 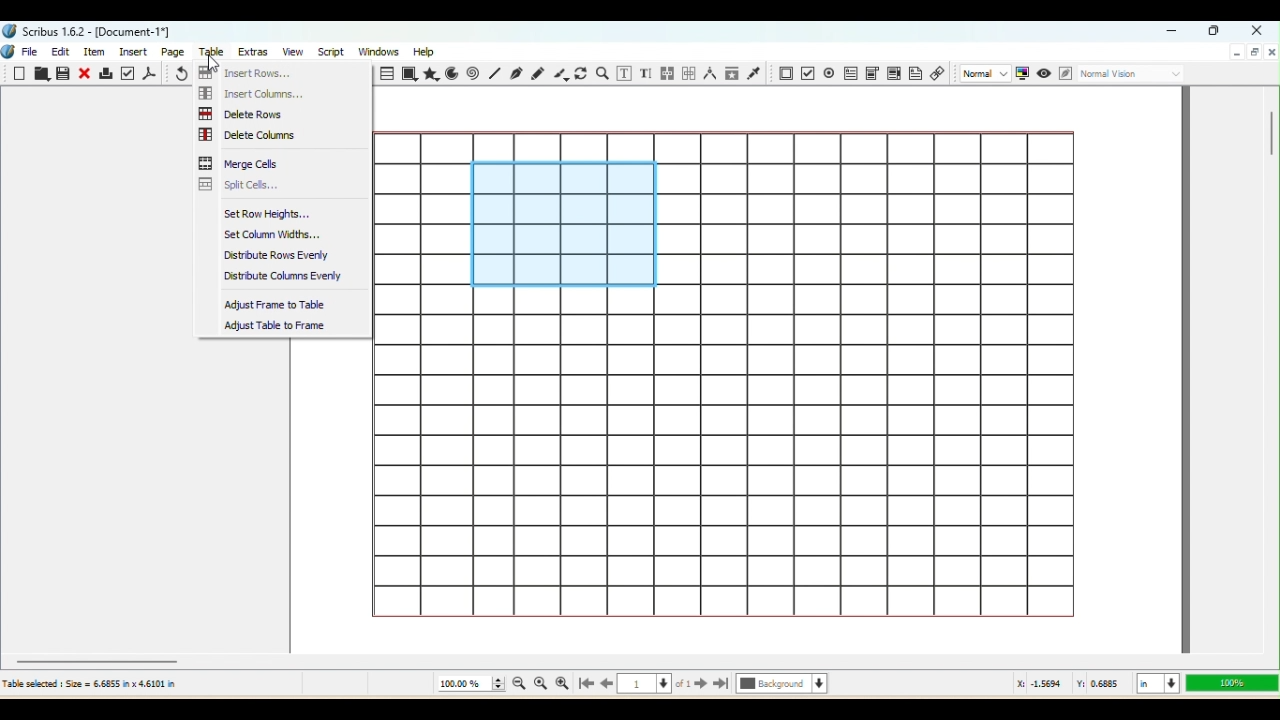 I want to click on Current zoom level, so click(x=470, y=684).